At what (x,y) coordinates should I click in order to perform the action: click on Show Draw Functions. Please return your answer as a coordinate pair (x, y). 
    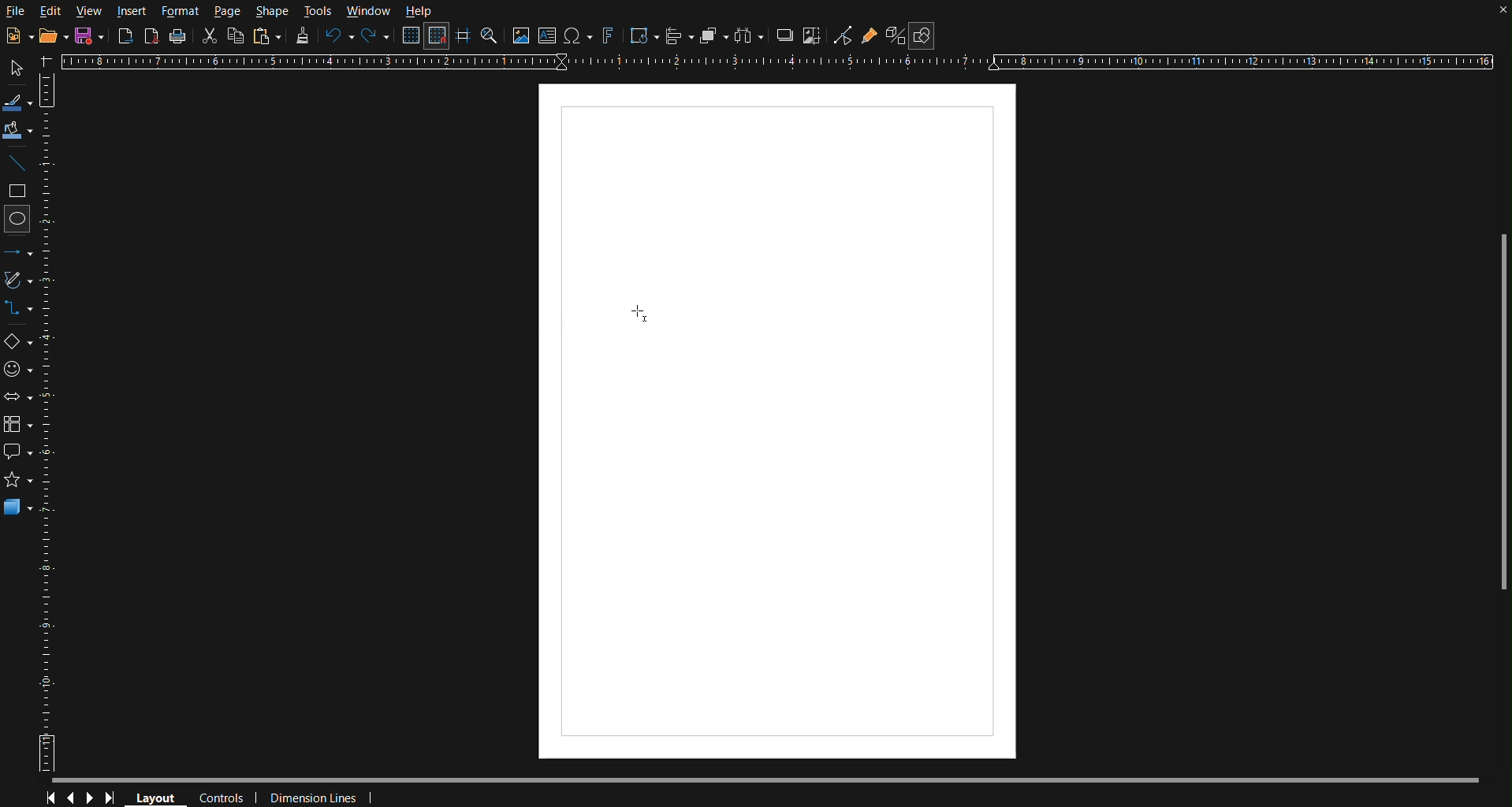
    Looking at the image, I should click on (922, 36).